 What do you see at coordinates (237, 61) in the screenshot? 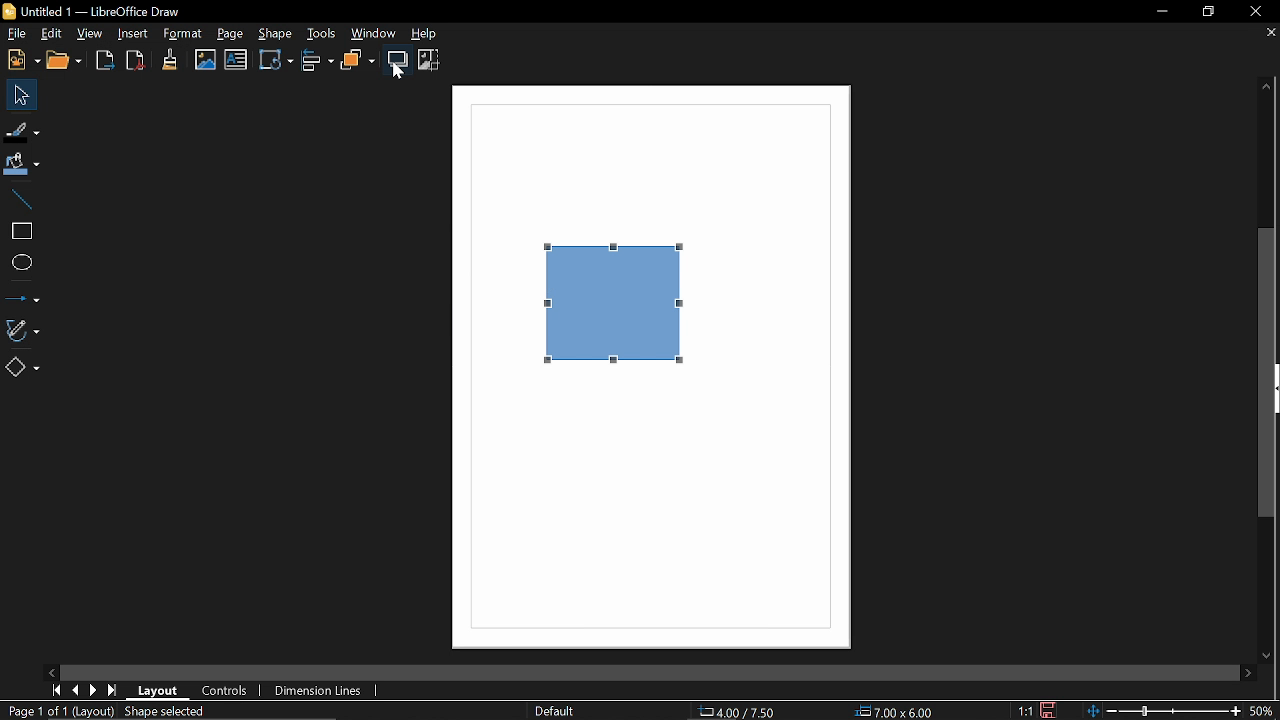
I see `Insert text` at bounding box center [237, 61].